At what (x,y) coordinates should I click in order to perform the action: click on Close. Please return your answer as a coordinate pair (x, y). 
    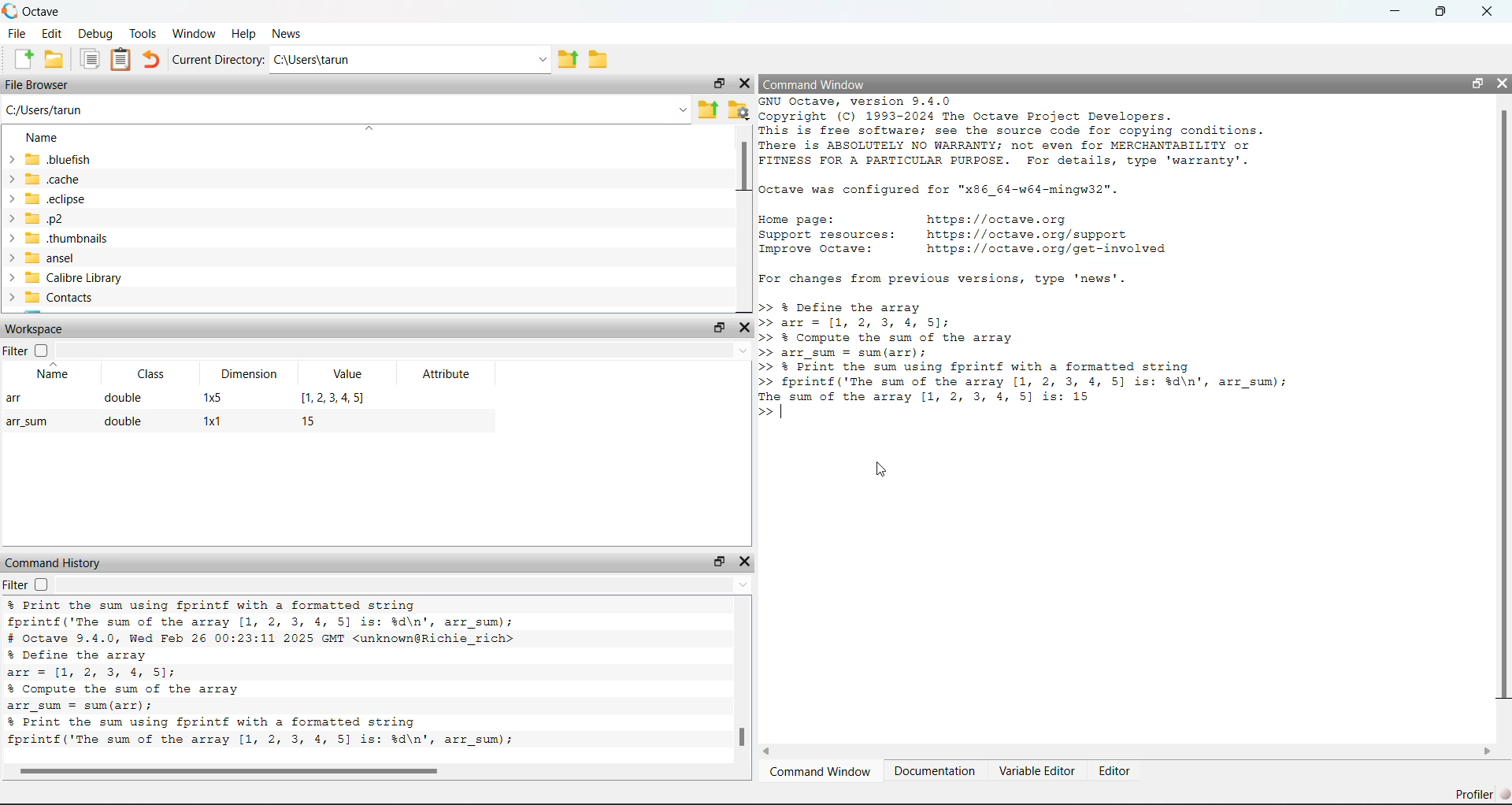
    Looking at the image, I should click on (1488, 12).